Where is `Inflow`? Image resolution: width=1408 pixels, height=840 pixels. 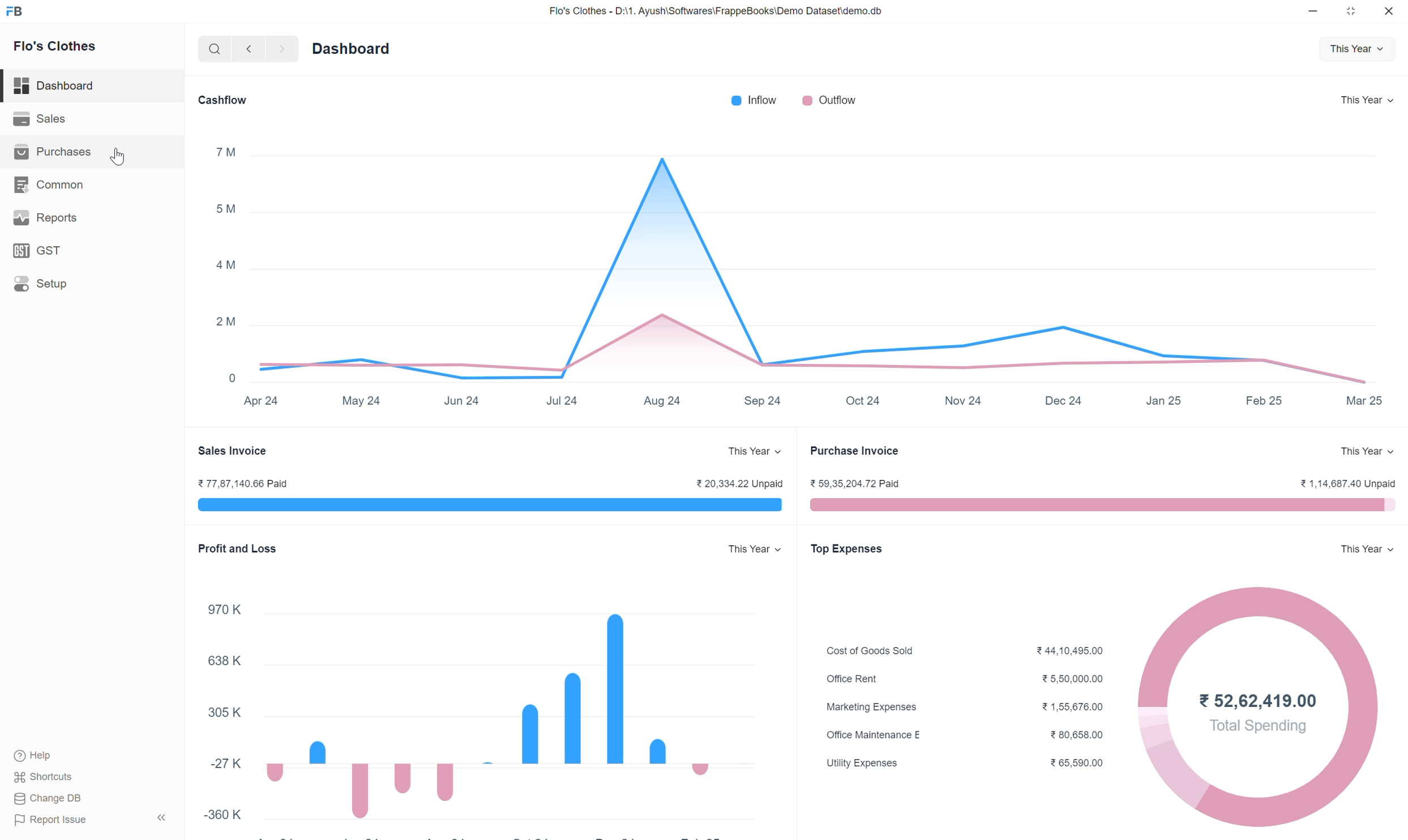
Inflow is located at coordinates (754, 100).